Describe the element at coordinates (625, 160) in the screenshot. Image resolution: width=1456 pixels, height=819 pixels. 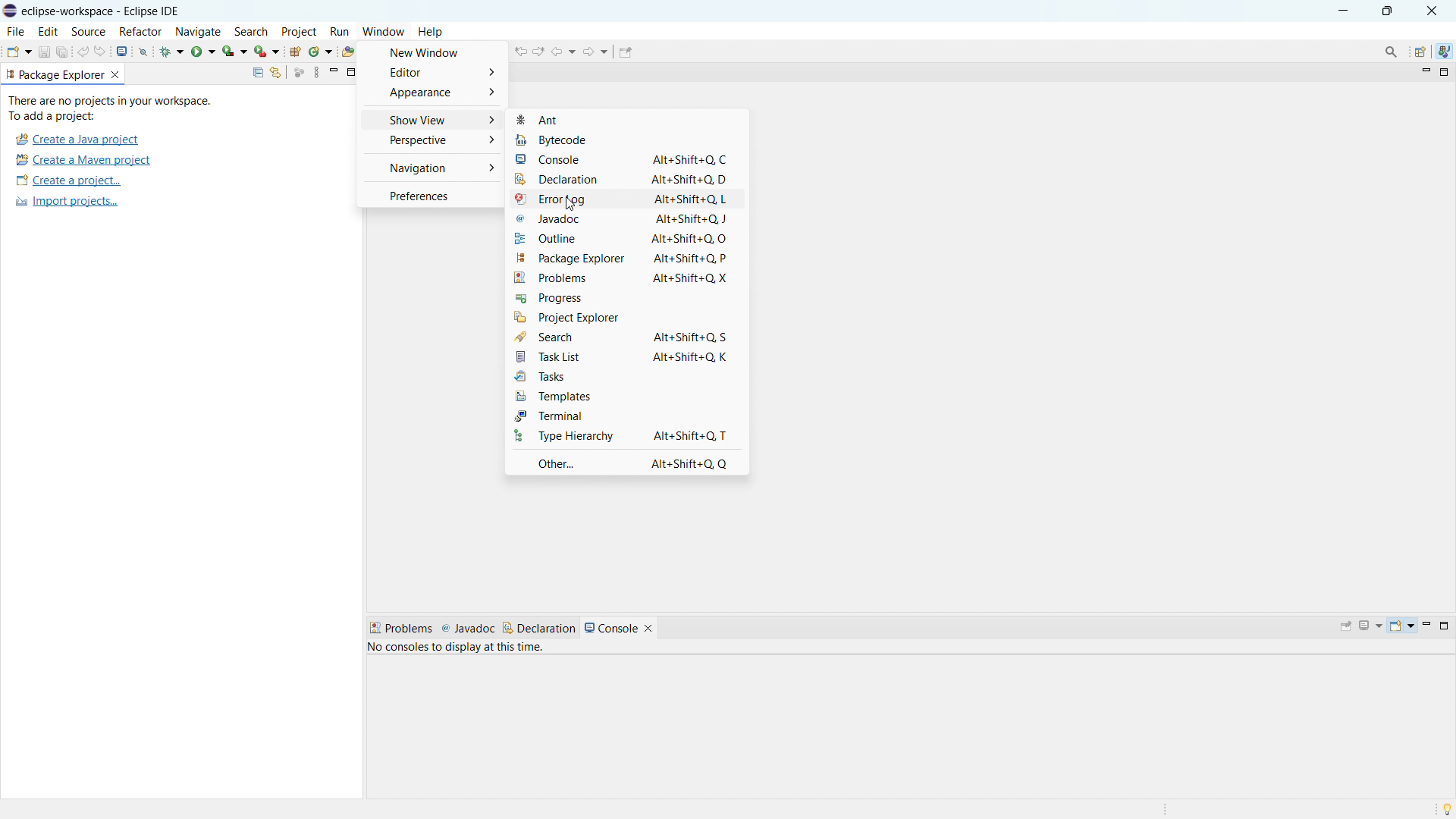
I see `Console     Alt+Shift+Q, C` at that location.